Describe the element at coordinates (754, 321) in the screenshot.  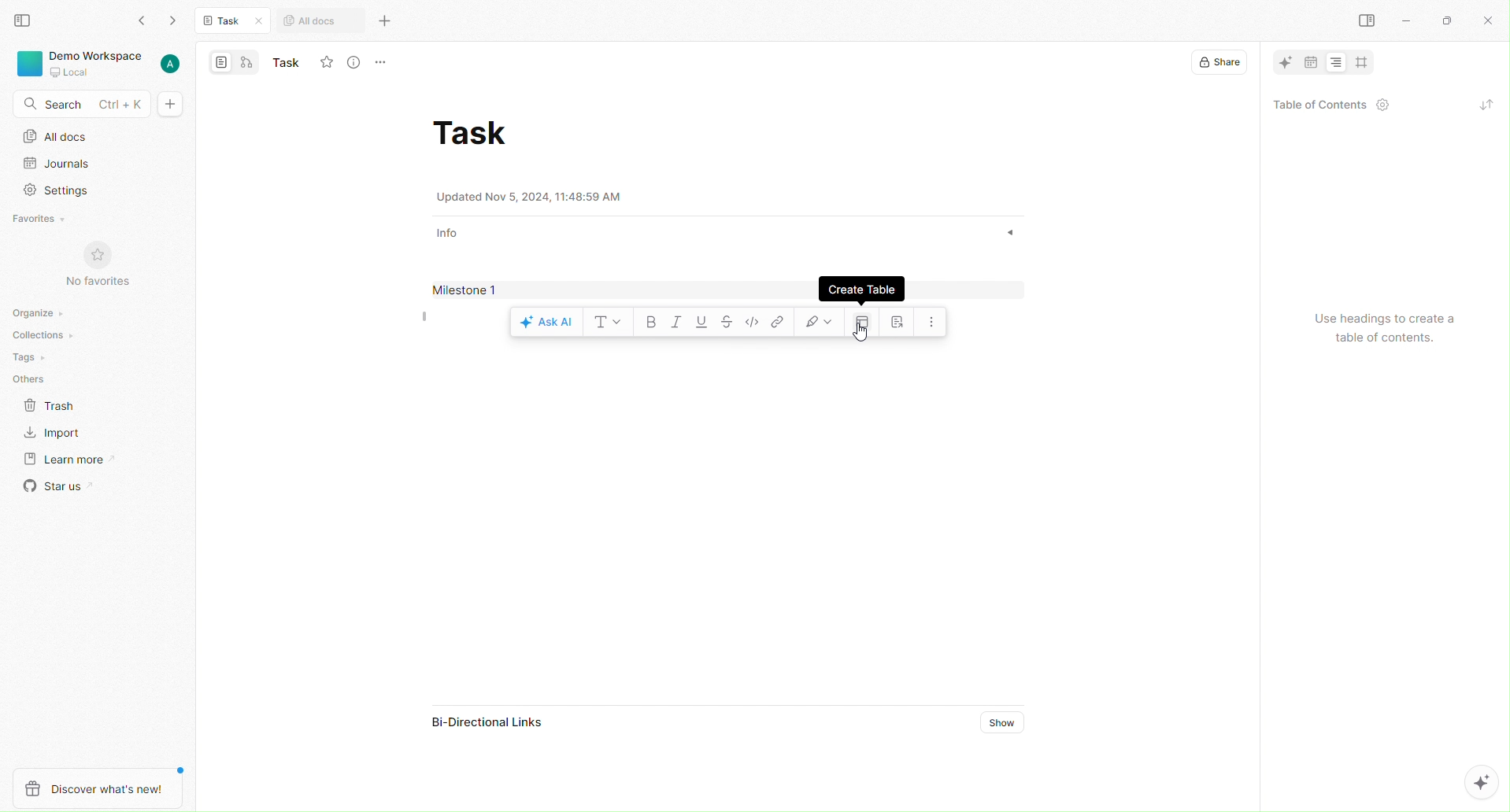
I see `embed ` at that location.